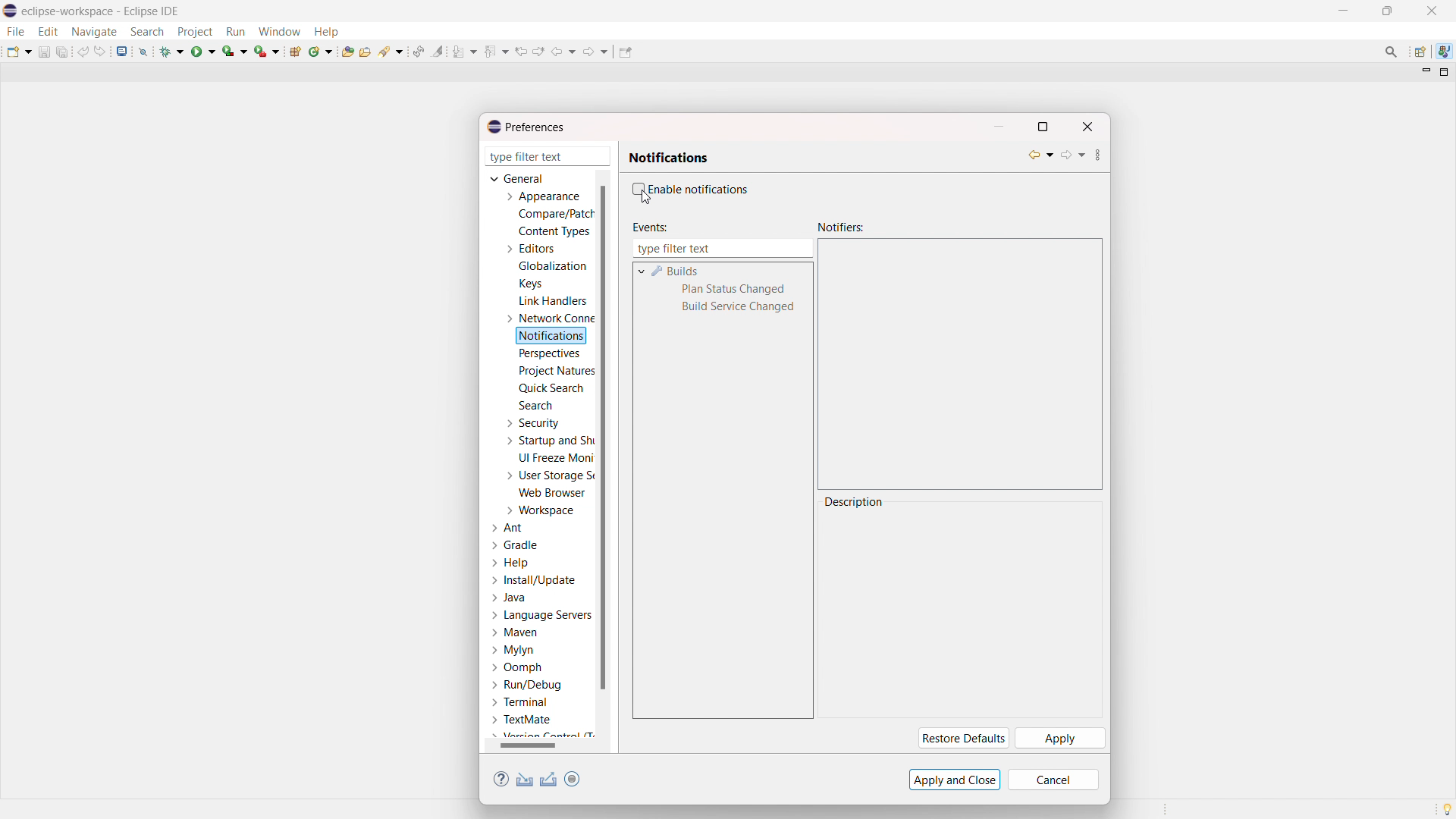  Describe the element at coordinates (1447, 808) in the screenshot. I see `tip of the day` at that location.